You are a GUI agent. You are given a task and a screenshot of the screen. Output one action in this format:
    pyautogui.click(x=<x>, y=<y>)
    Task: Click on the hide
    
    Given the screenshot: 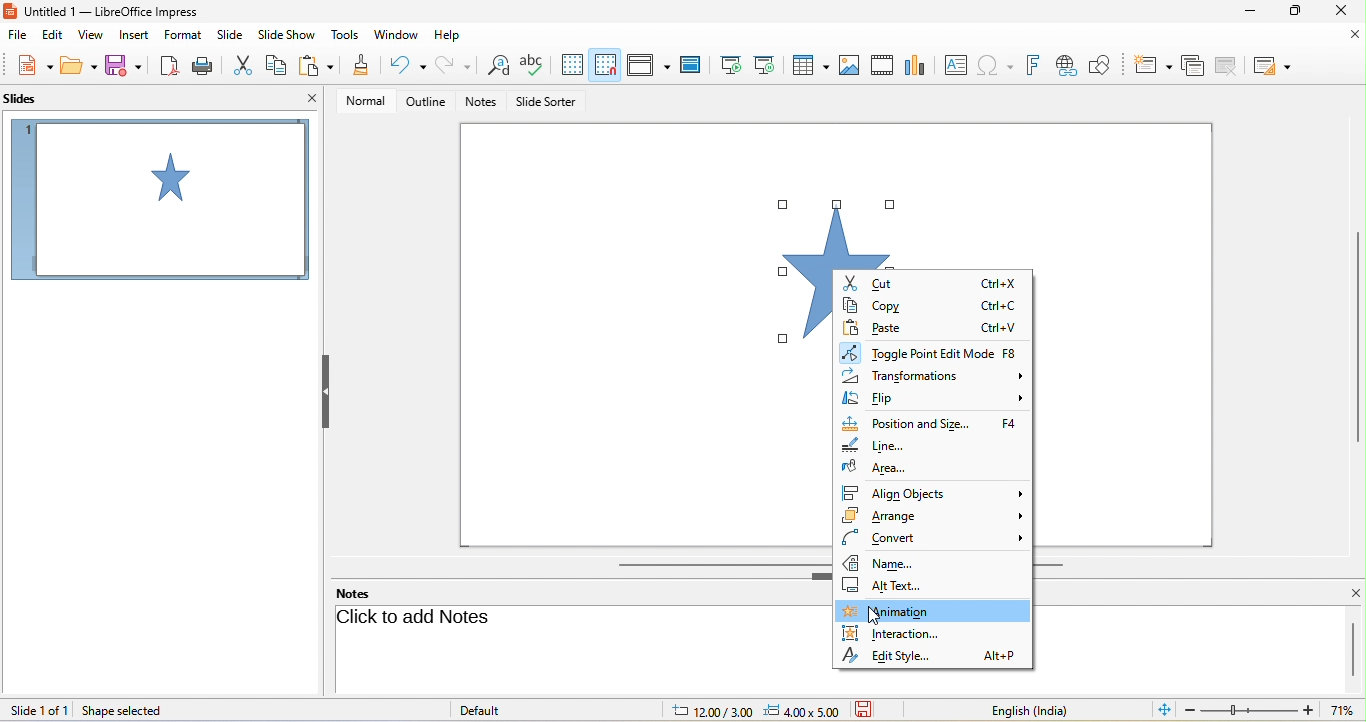 What is the action you would take?
    pyautogui.click(x=329, y=392)
    